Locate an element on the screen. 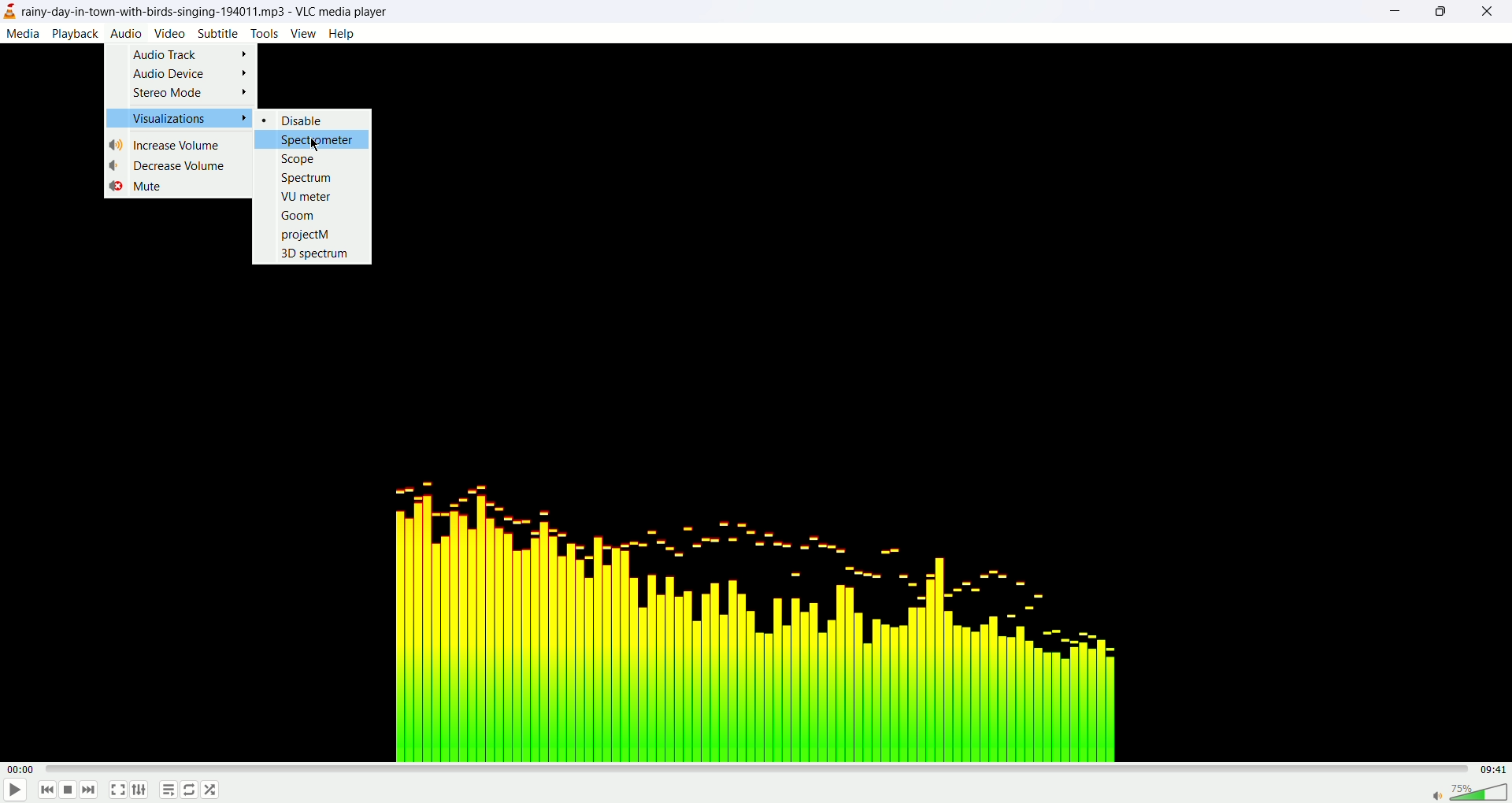 Image resolution: width=1512 pixels, height=803 pixels. full screen is located at coordinates (117, 792).